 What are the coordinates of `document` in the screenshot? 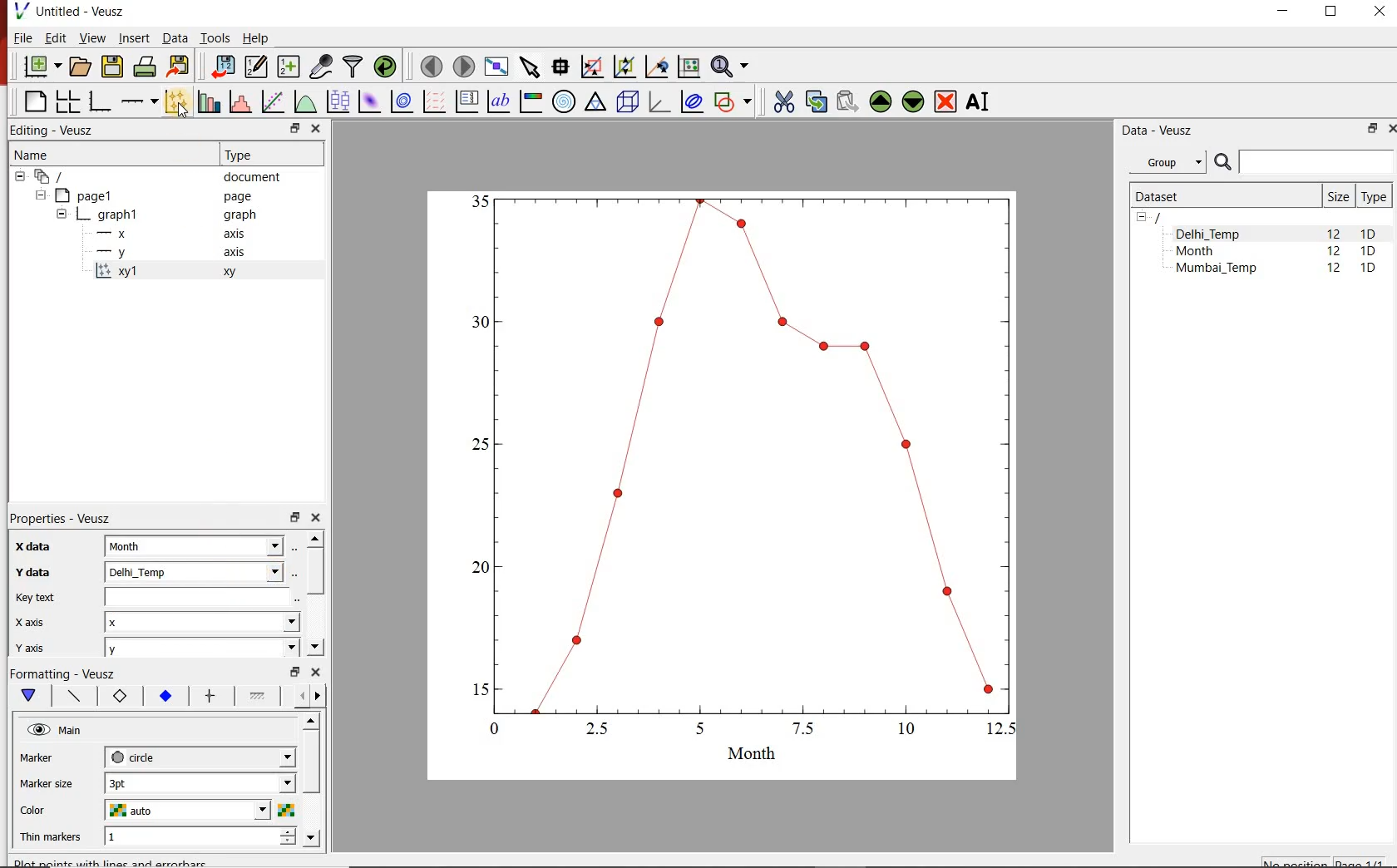 It's located at (151, 175).